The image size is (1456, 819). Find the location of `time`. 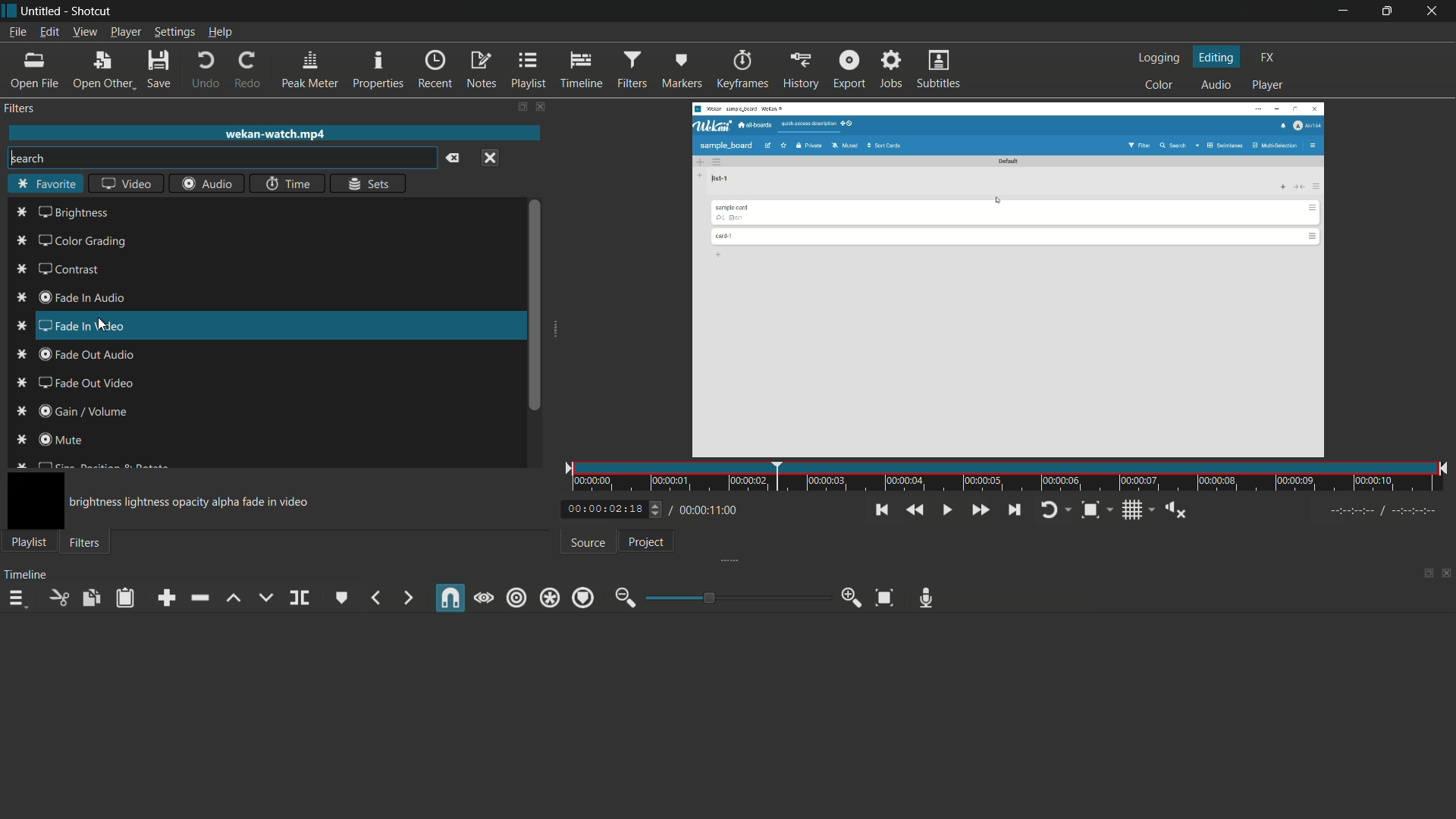

time is located at coordinates (1010, 478).